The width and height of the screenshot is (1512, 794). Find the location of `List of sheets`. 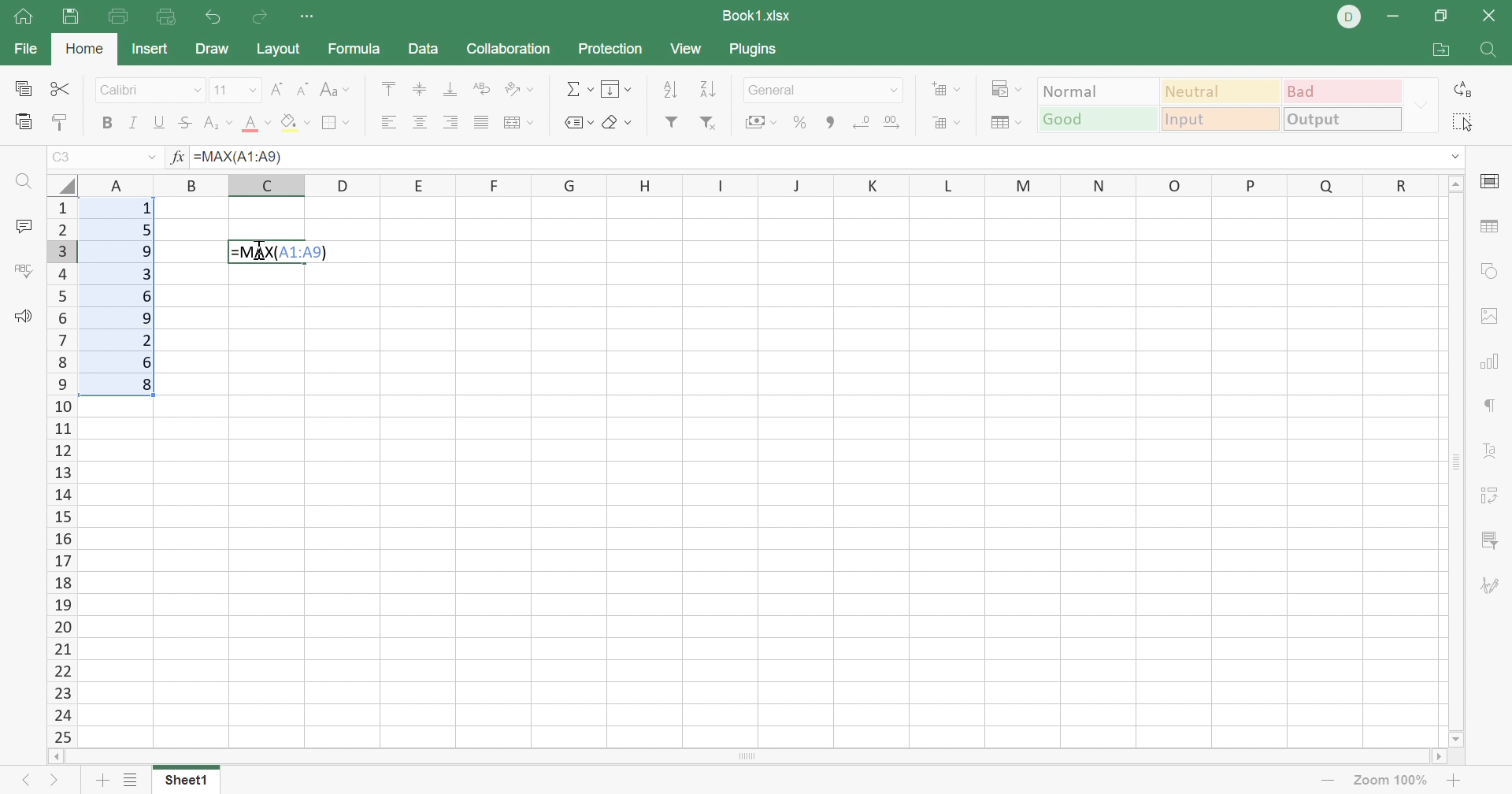

List of sheets is located at coordinates (135, 780).